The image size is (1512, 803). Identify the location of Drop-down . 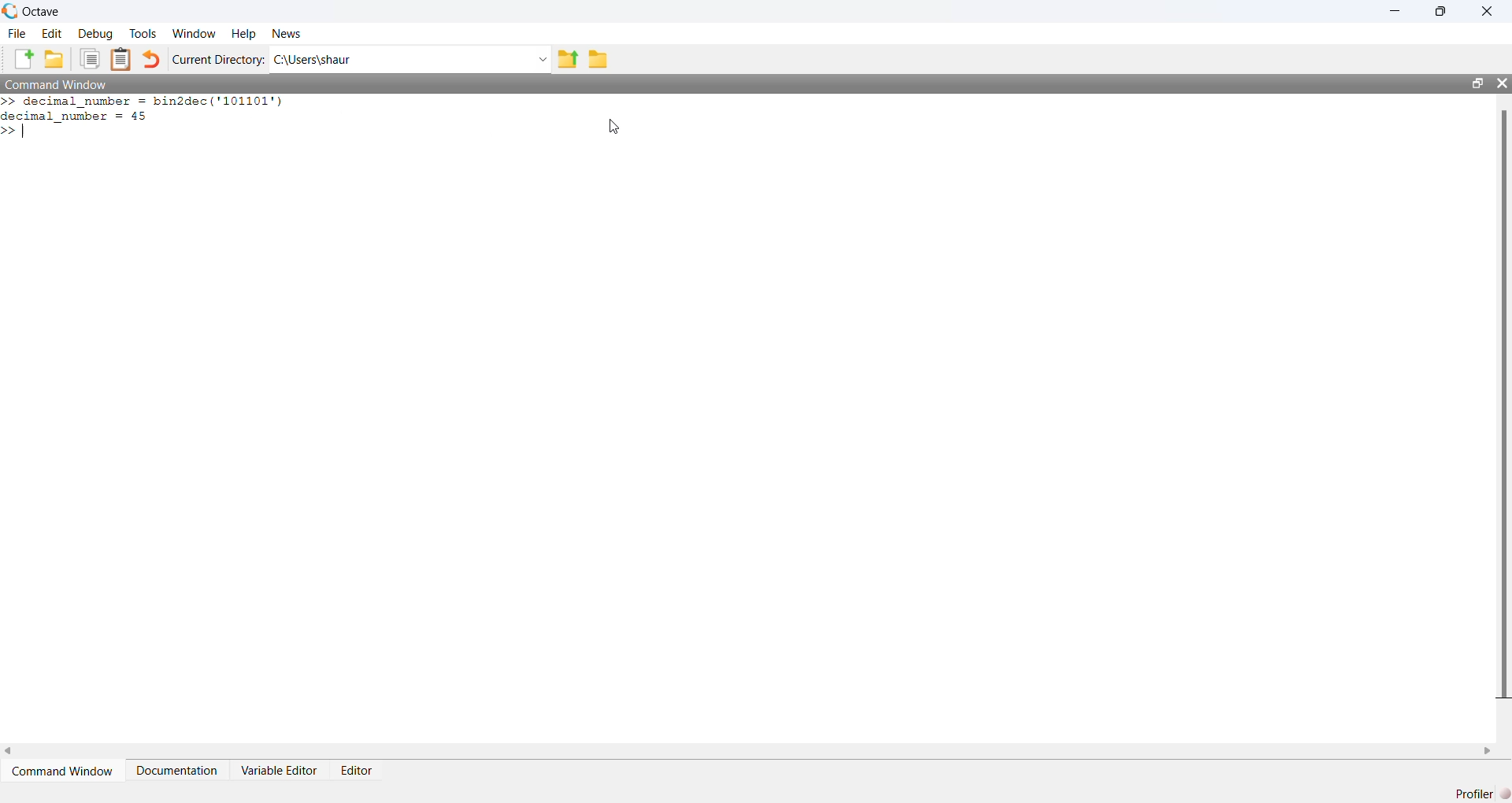
(543, 59).